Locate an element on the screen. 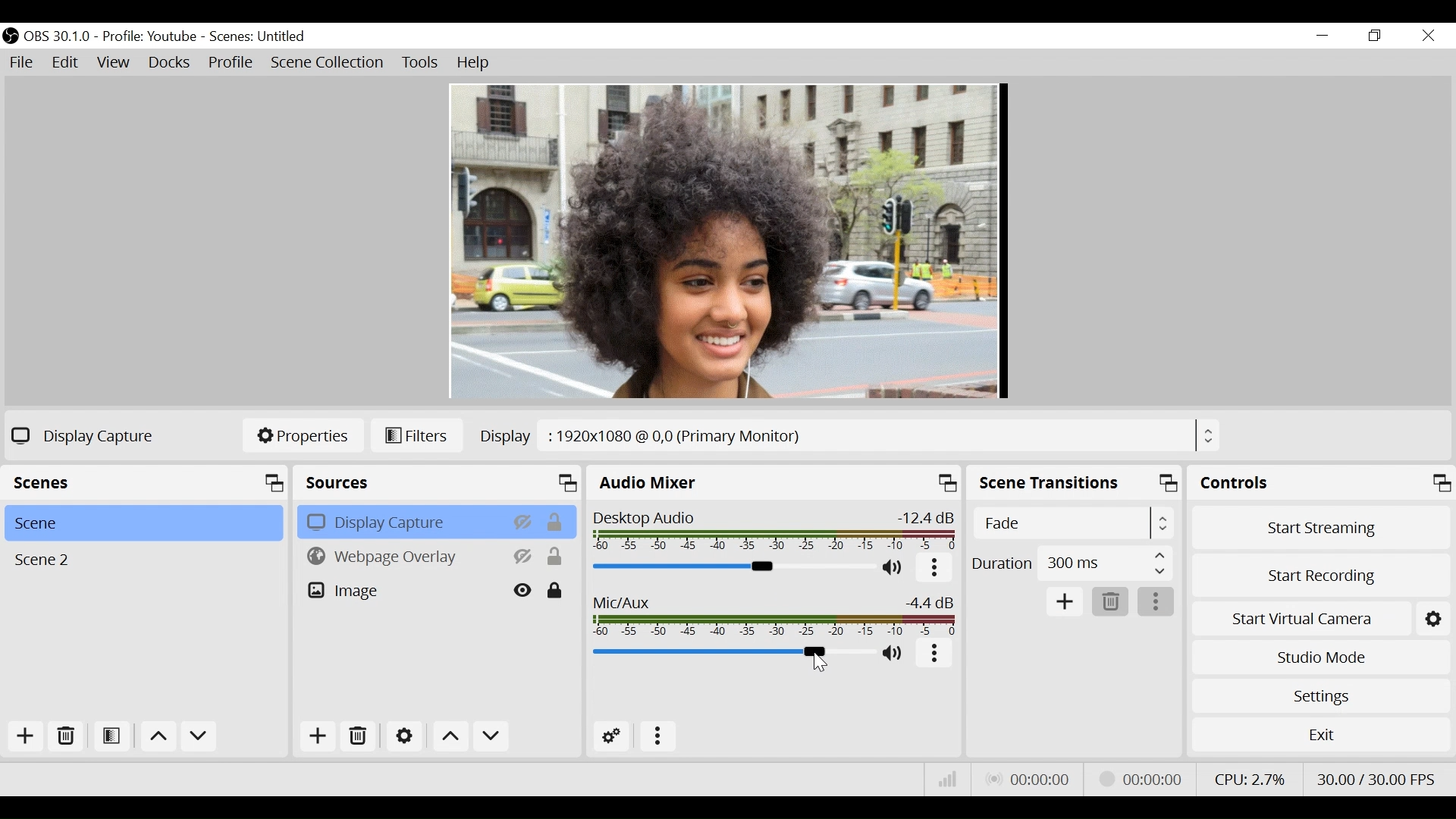 The width and height of the screenshot is (1456, 819). Image Source is located at coordinates (402, 591).